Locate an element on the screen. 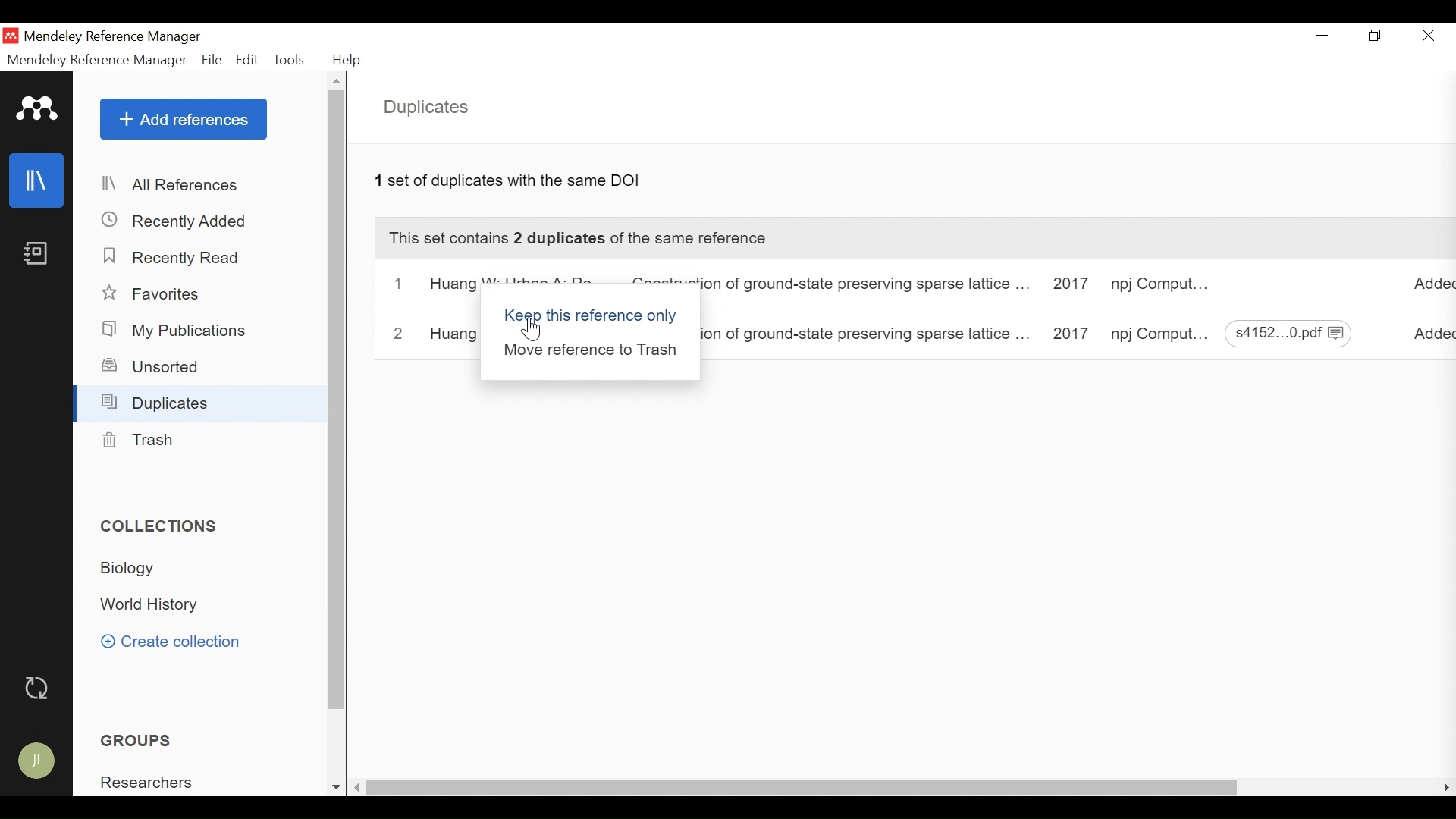  Tools is located at coordinates (290, 61).